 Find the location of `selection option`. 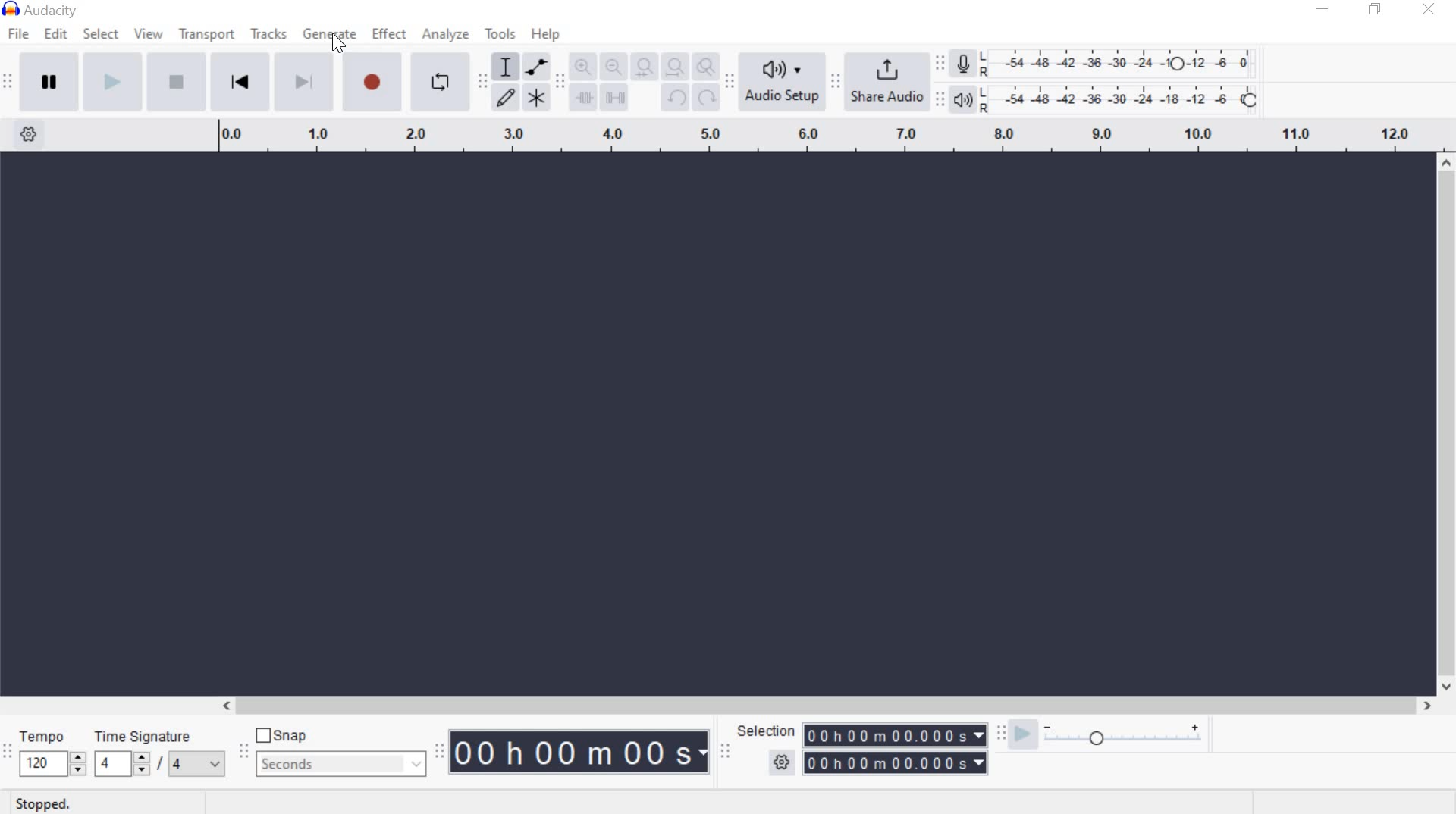

selection option is located at coordinates (782, 760).